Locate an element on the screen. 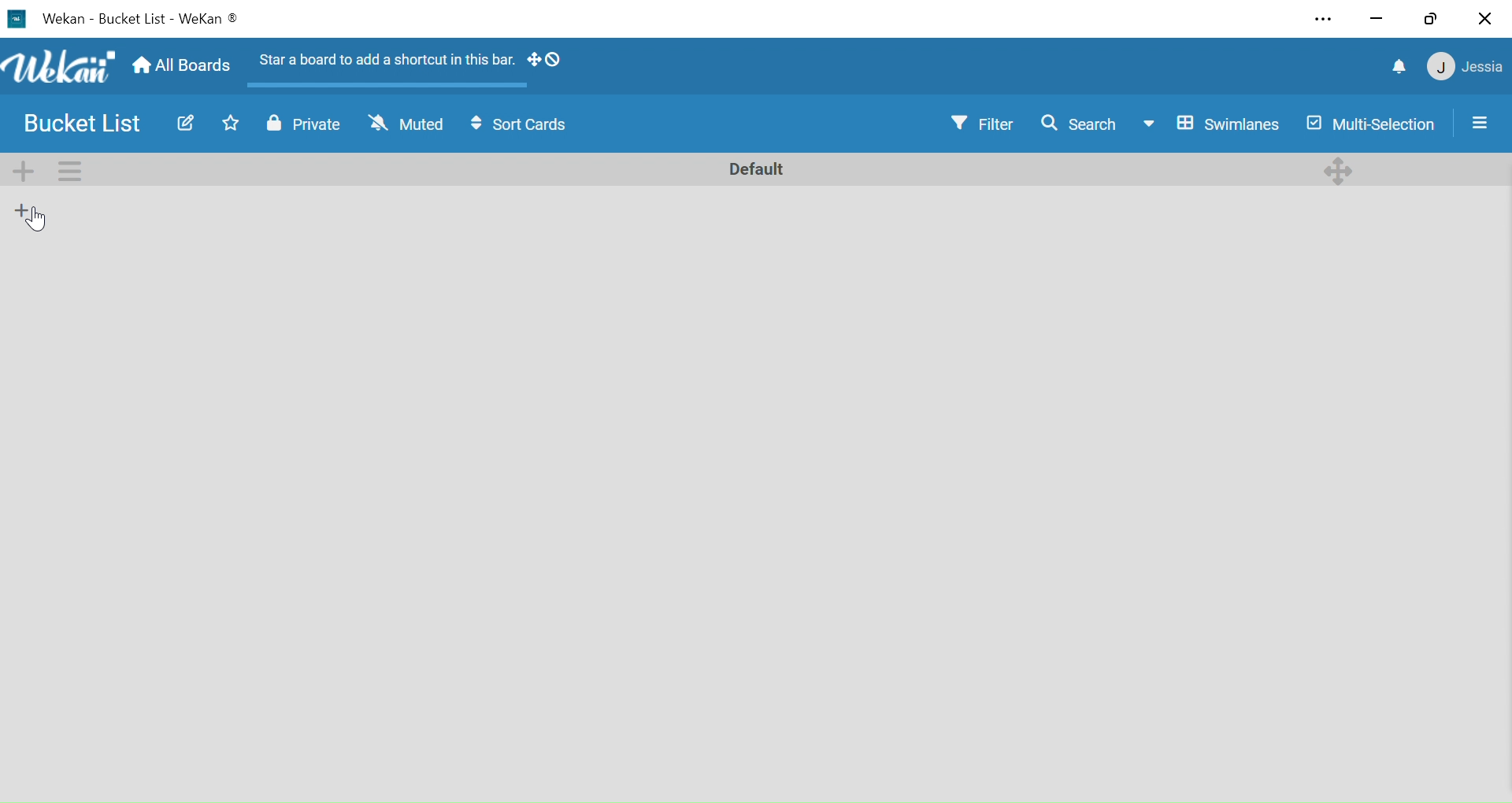 Image resolution: width=1512 pixels, height=803 pixels. Sort cards is located at coordinates (524, 127).